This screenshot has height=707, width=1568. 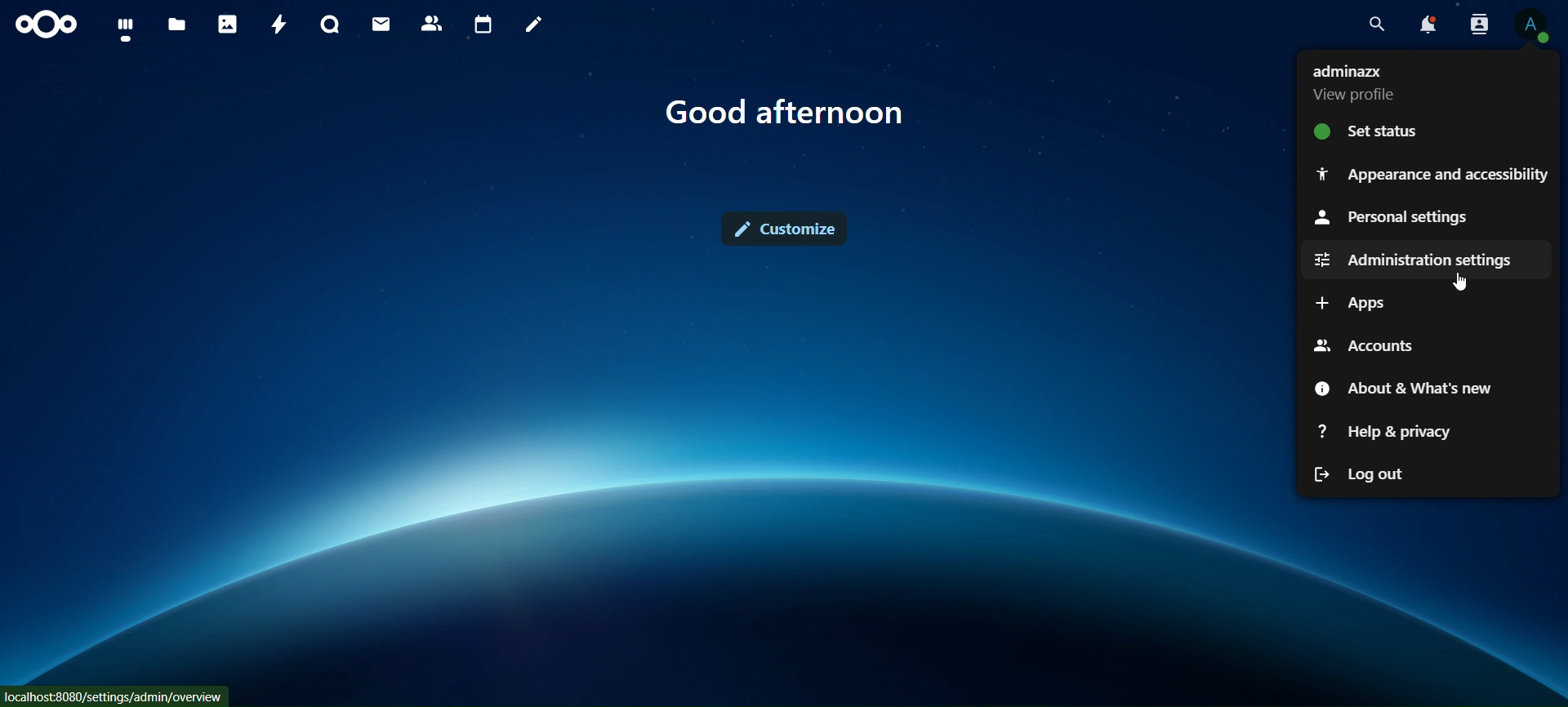 What do you see at coordinates (1375, 133) in the screenshot?
I see `set status` at bounding box center [1375, 133].